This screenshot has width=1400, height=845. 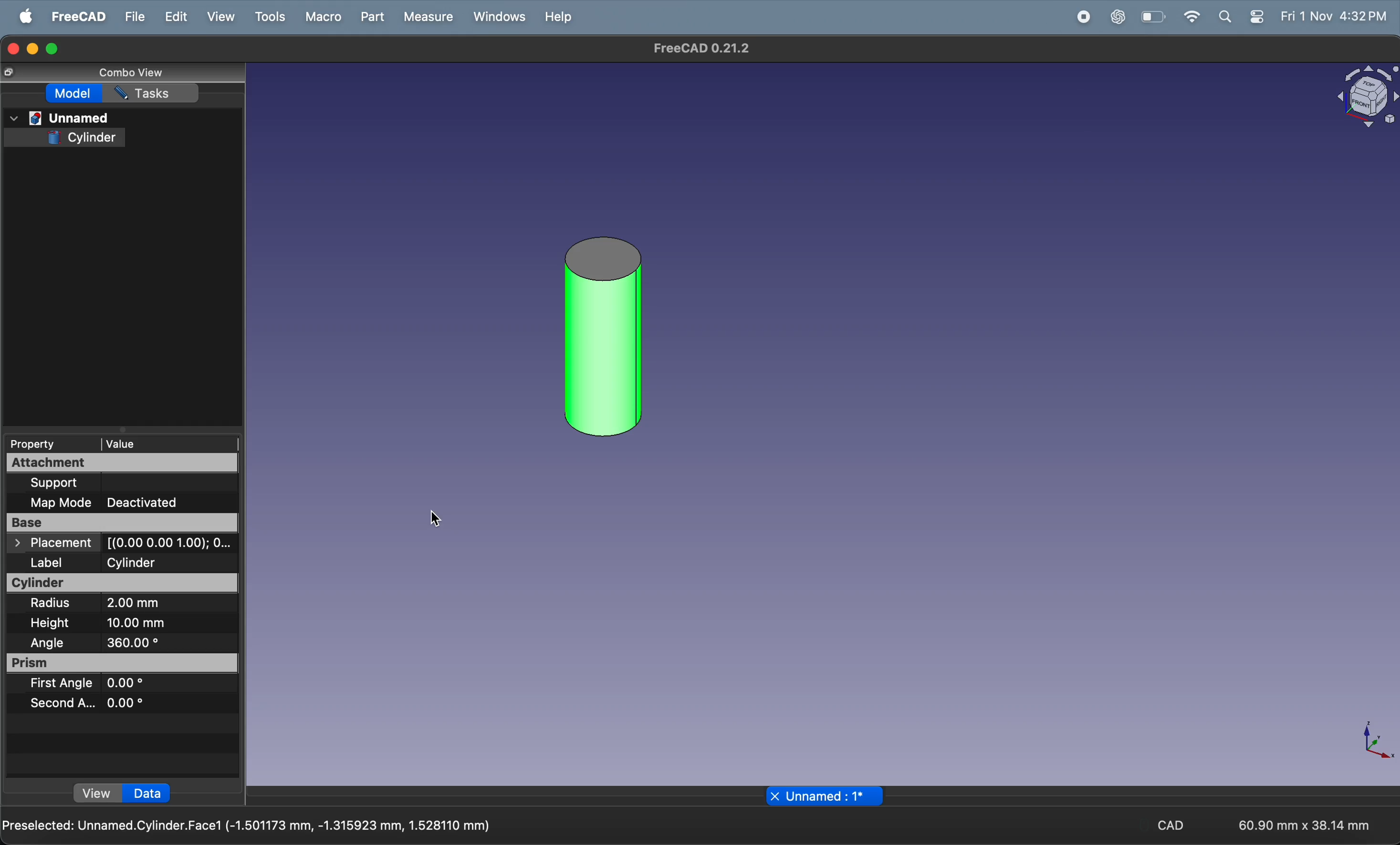 I want to click on freeCad  0.21.2, so click(x=701, y=48).